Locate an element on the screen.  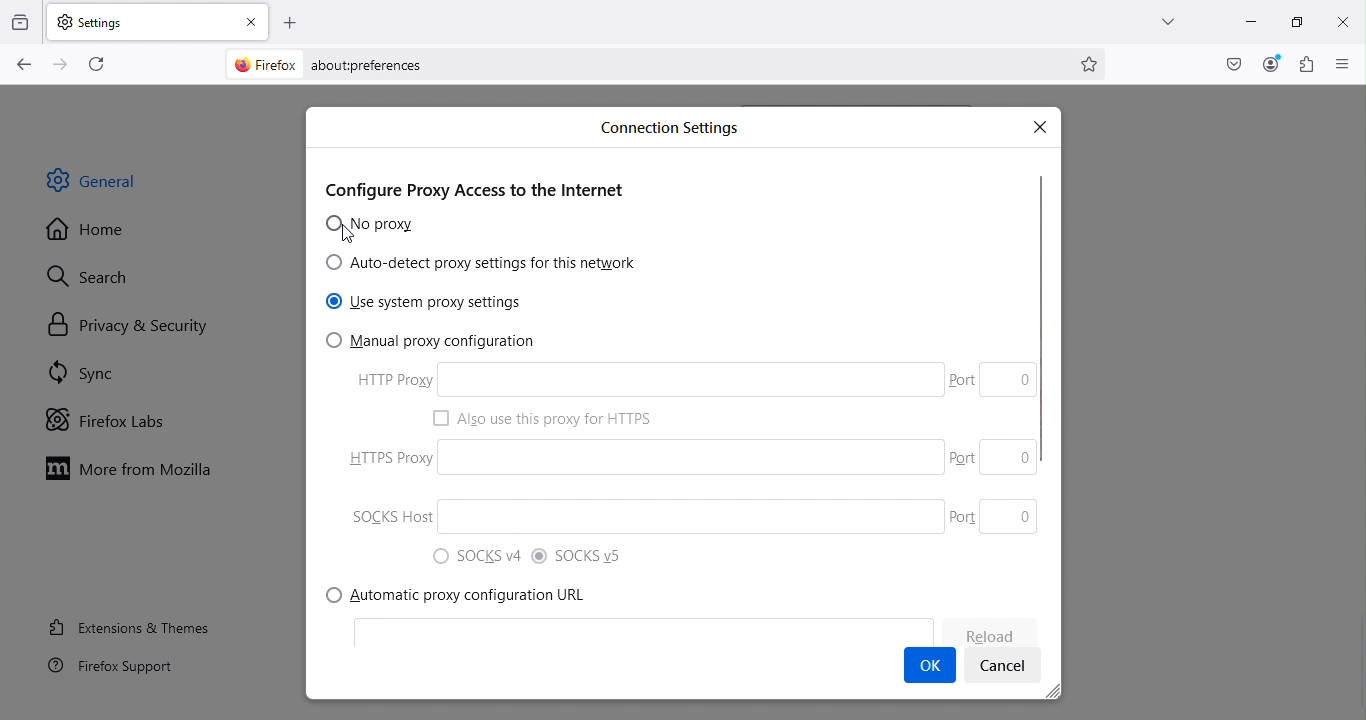
Also use this proxy HTTPS is located at coordinates (556, 417).